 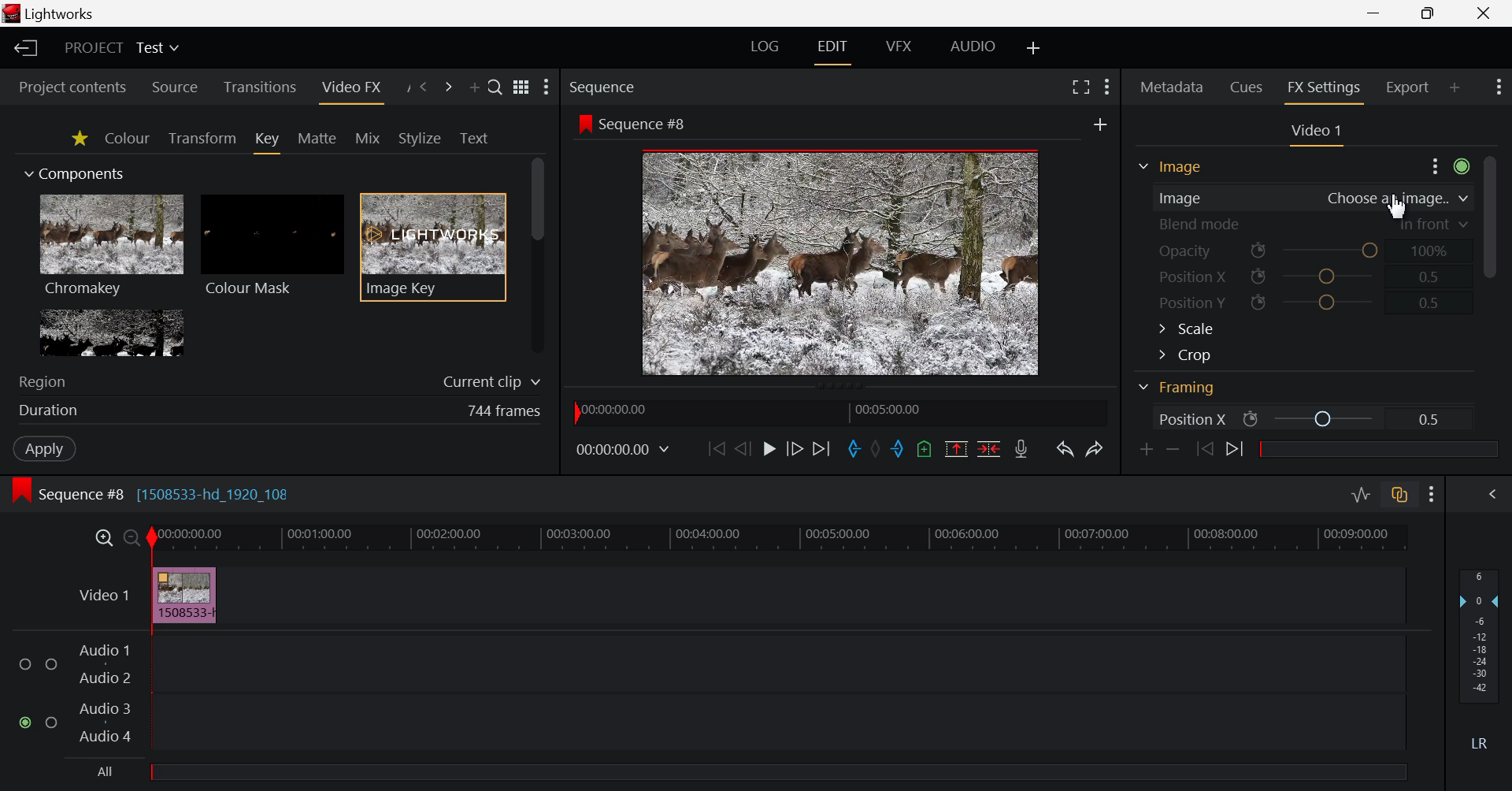 What do you see at coordinates (1432, 421) in the screenshot?
I see `0.5` at bounding box center [1432, 421].